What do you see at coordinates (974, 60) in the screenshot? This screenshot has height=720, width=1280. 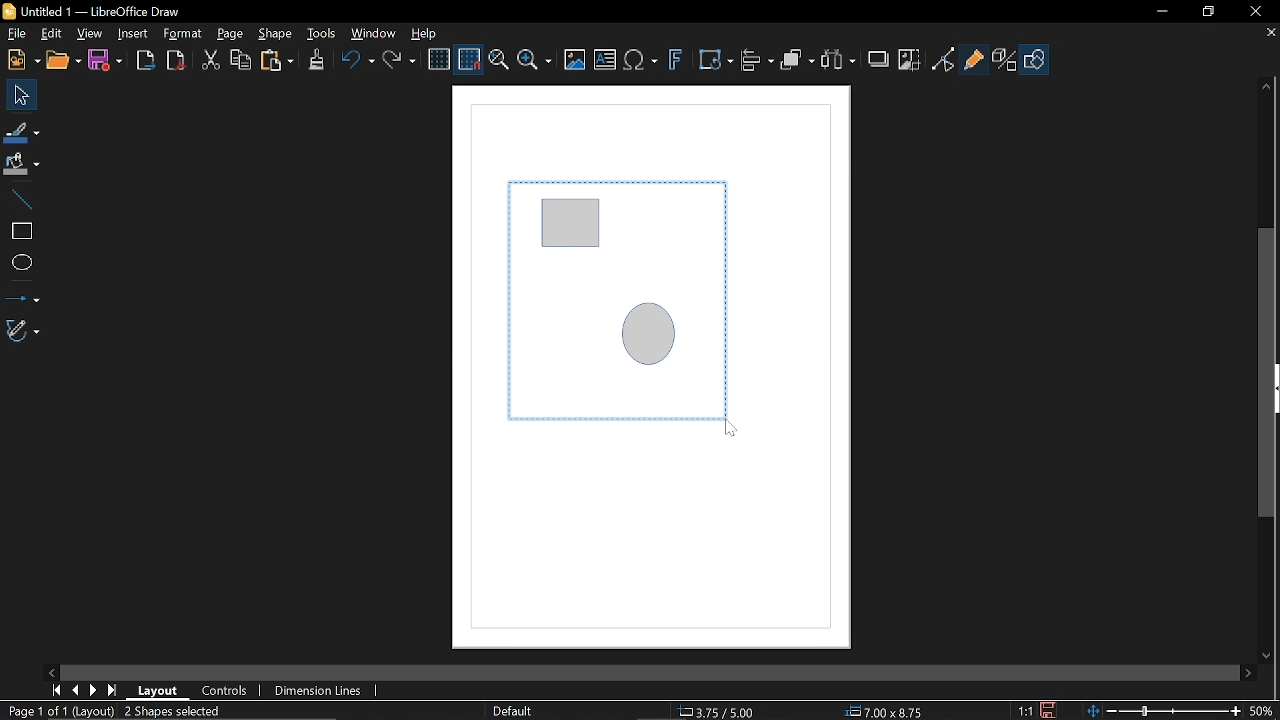 I see `Glue` at bounding box center [974, 60].